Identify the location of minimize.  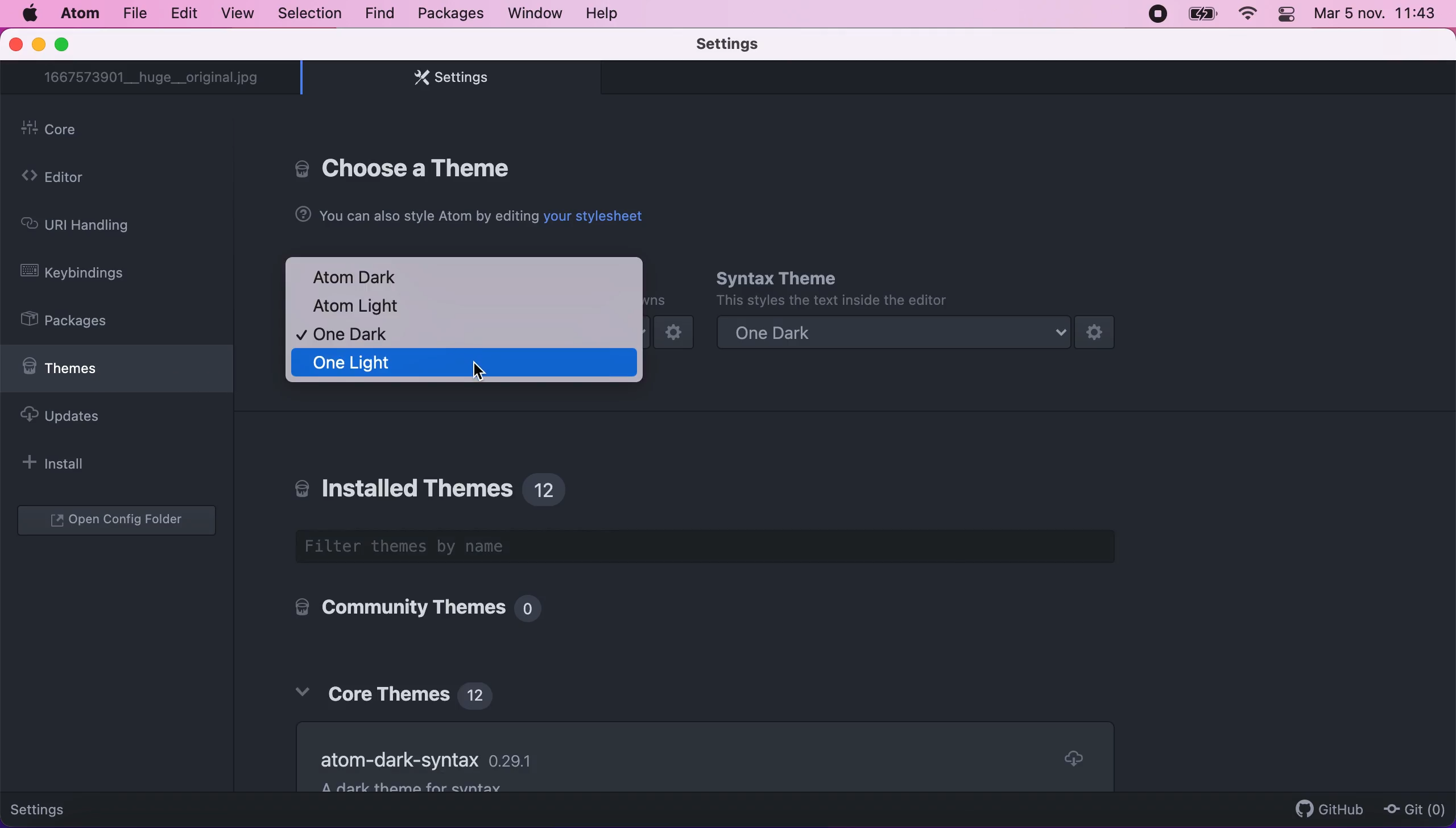
(38, 45).